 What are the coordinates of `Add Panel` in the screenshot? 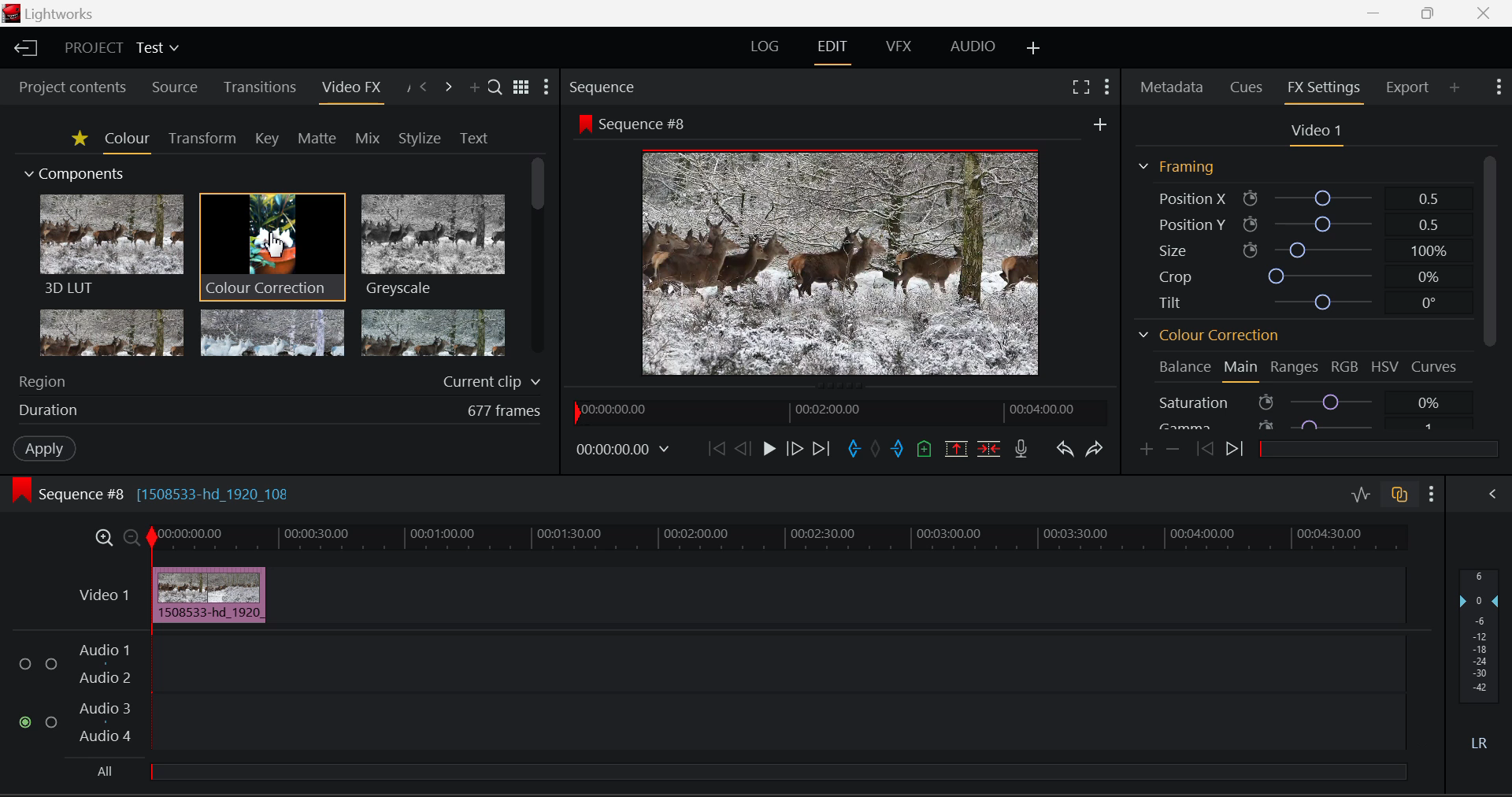 It's located at (472, 87).